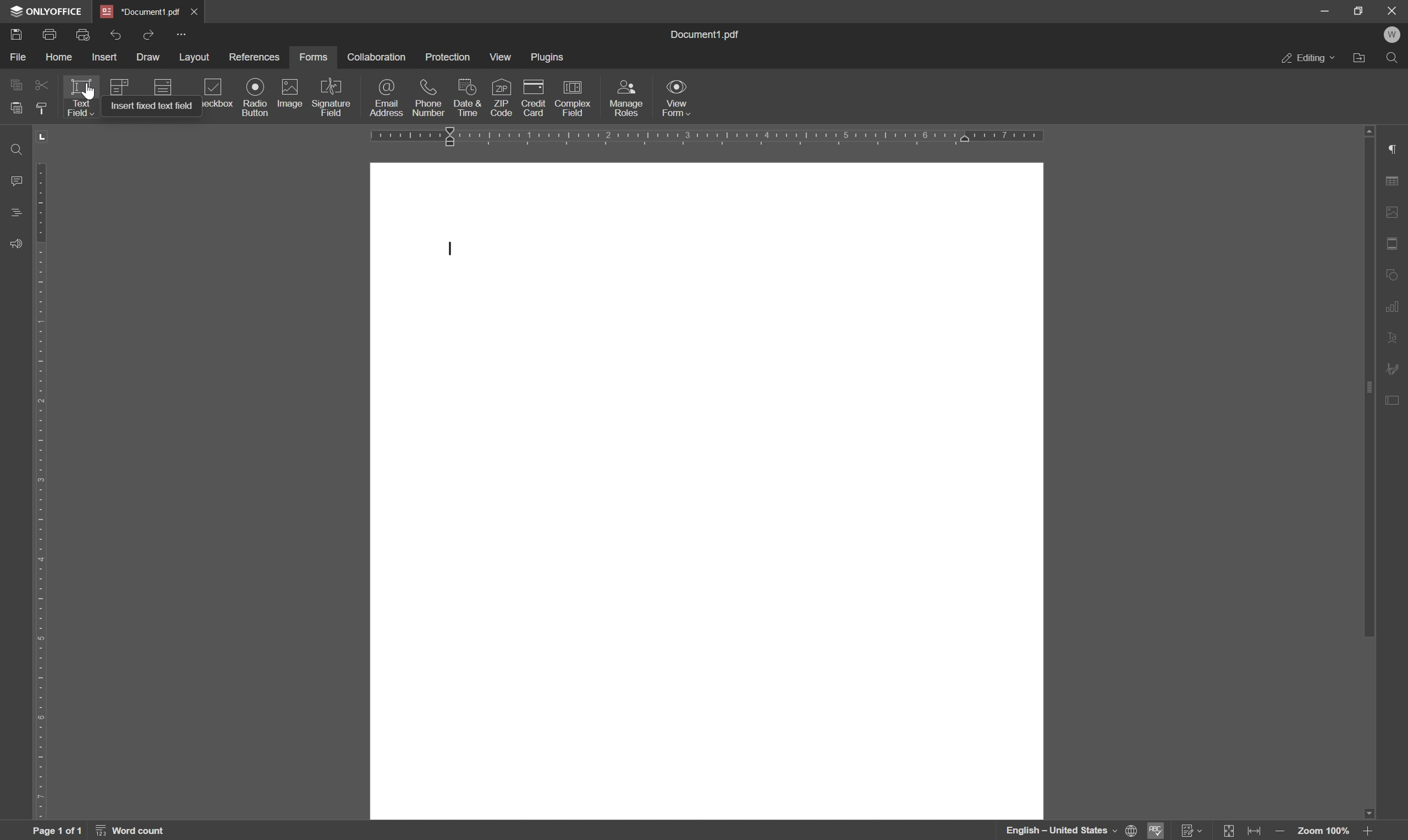  Describe the element at coordinates (1192, 831) in the screenshot. I see `track changes` at that location.